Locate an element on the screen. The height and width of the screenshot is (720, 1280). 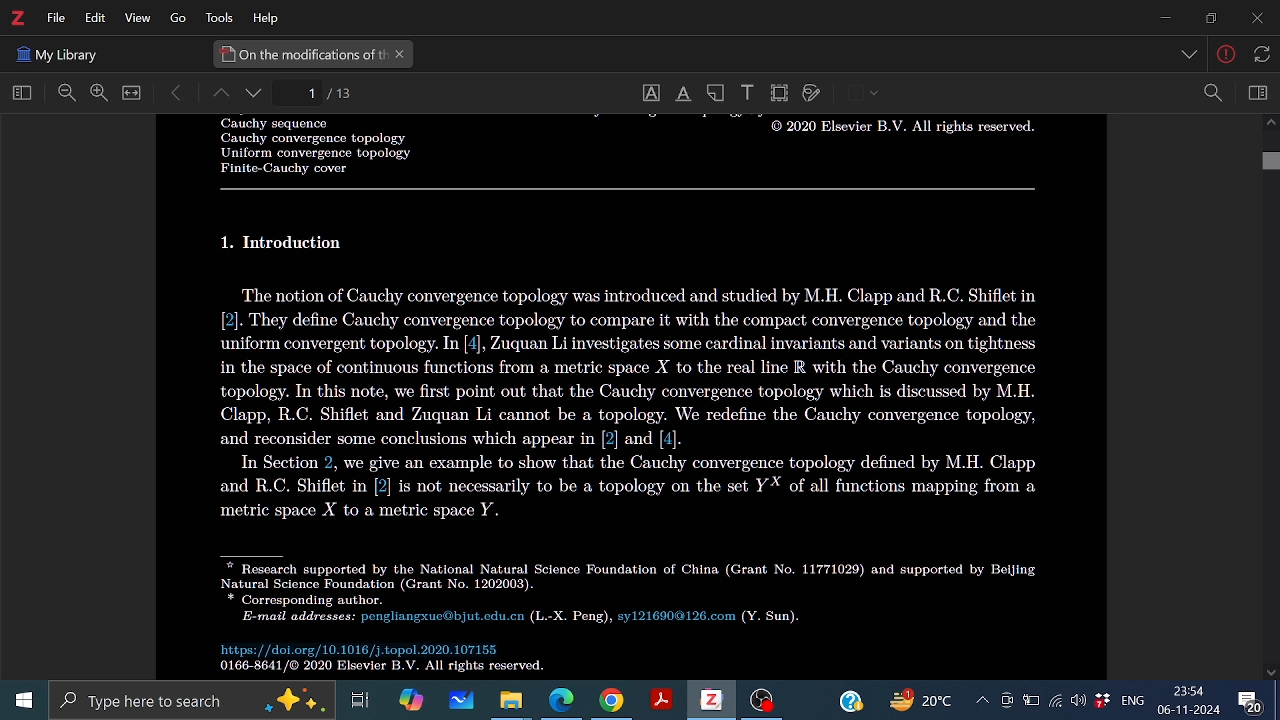
Close current tab is located at coordinates (401, 55).